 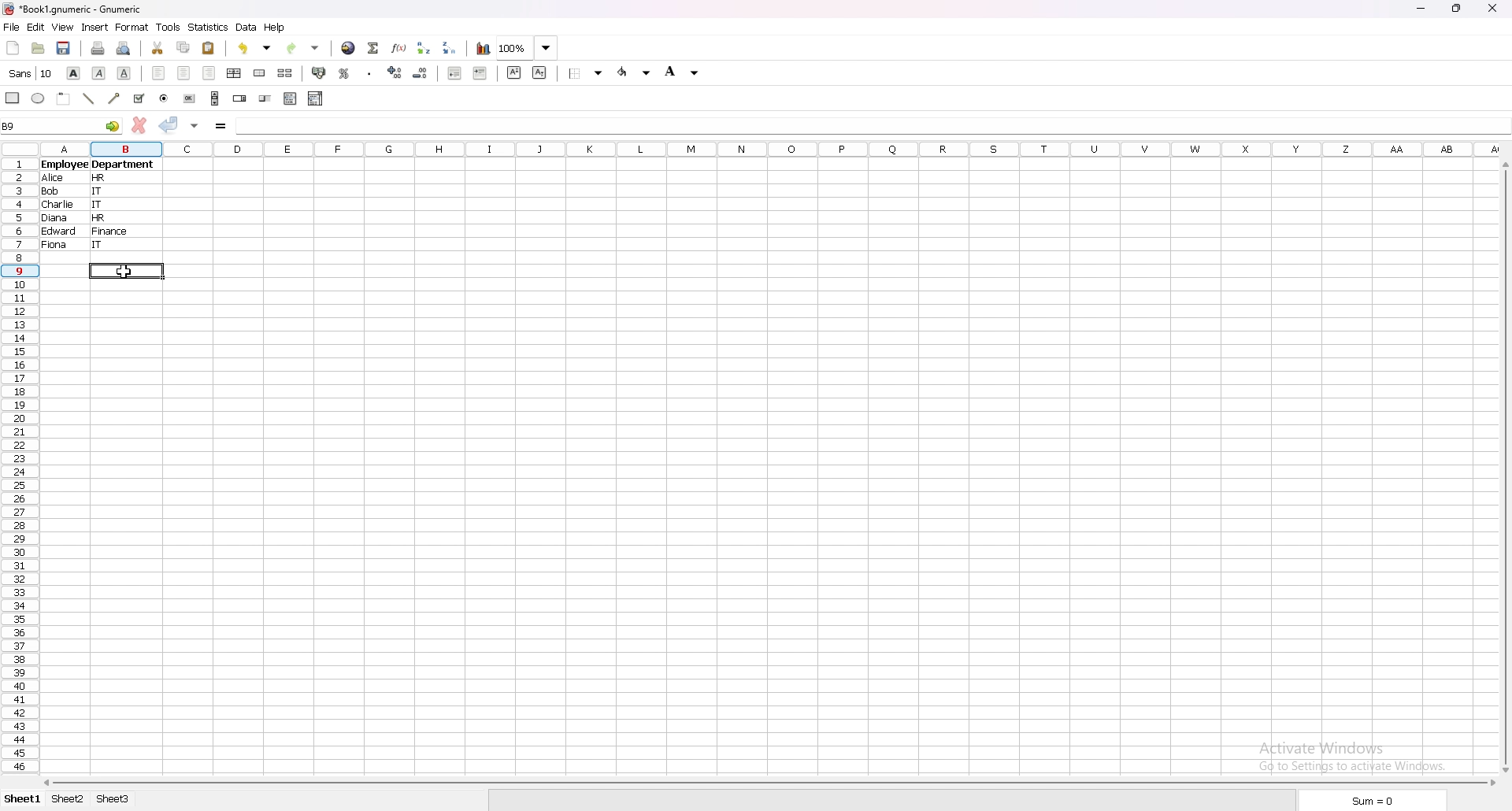 What do you see at coordinates (209, 48) in the screenshot?
I see `paste` at bounding box center [209, 48].